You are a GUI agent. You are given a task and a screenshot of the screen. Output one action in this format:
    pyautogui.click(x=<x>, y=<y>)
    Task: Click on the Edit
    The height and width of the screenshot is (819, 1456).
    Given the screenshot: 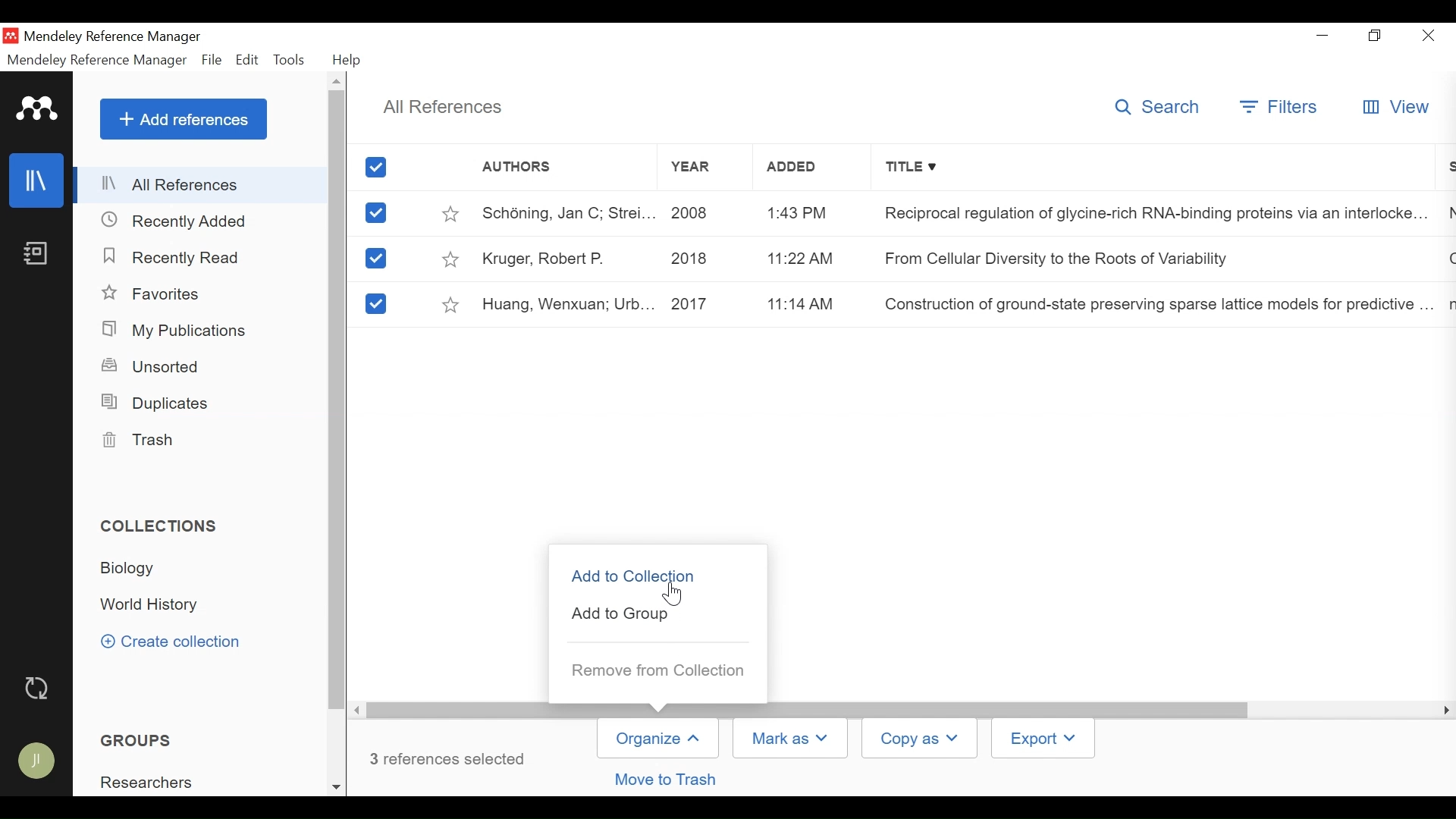 What is the action you would take?
    pyautogui.click(x=246, y=60)
    